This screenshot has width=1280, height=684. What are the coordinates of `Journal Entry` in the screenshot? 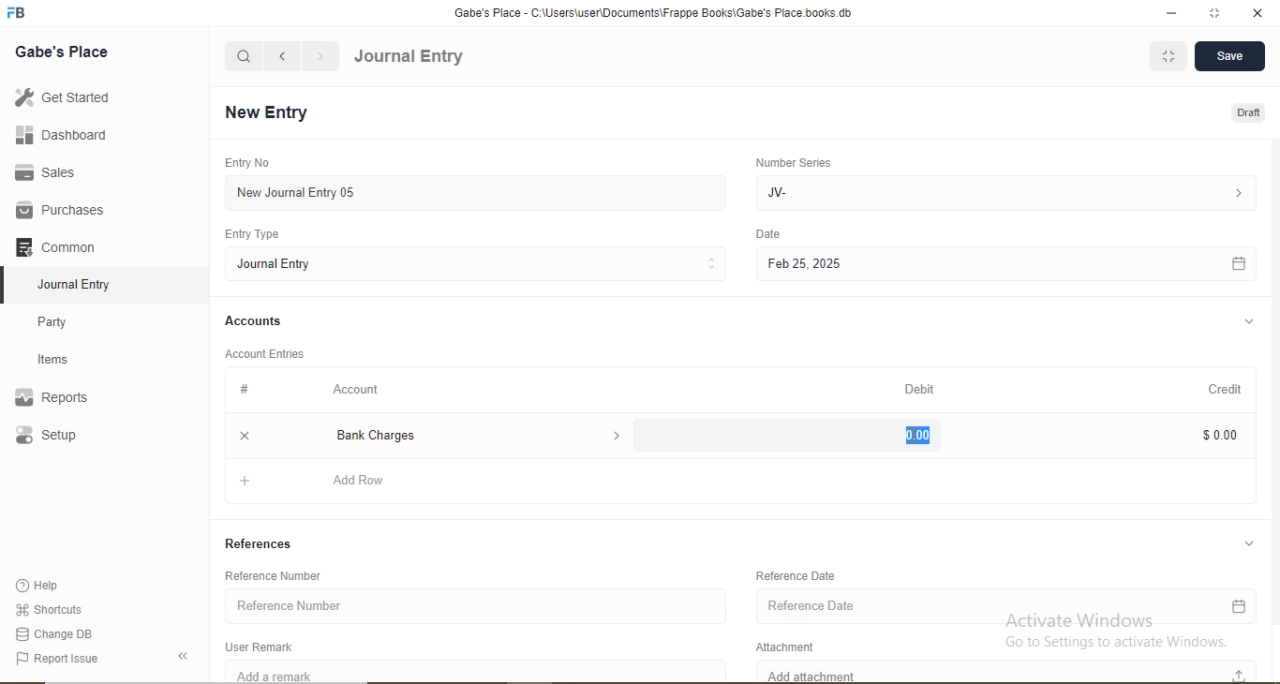 It's located at (409, 57).